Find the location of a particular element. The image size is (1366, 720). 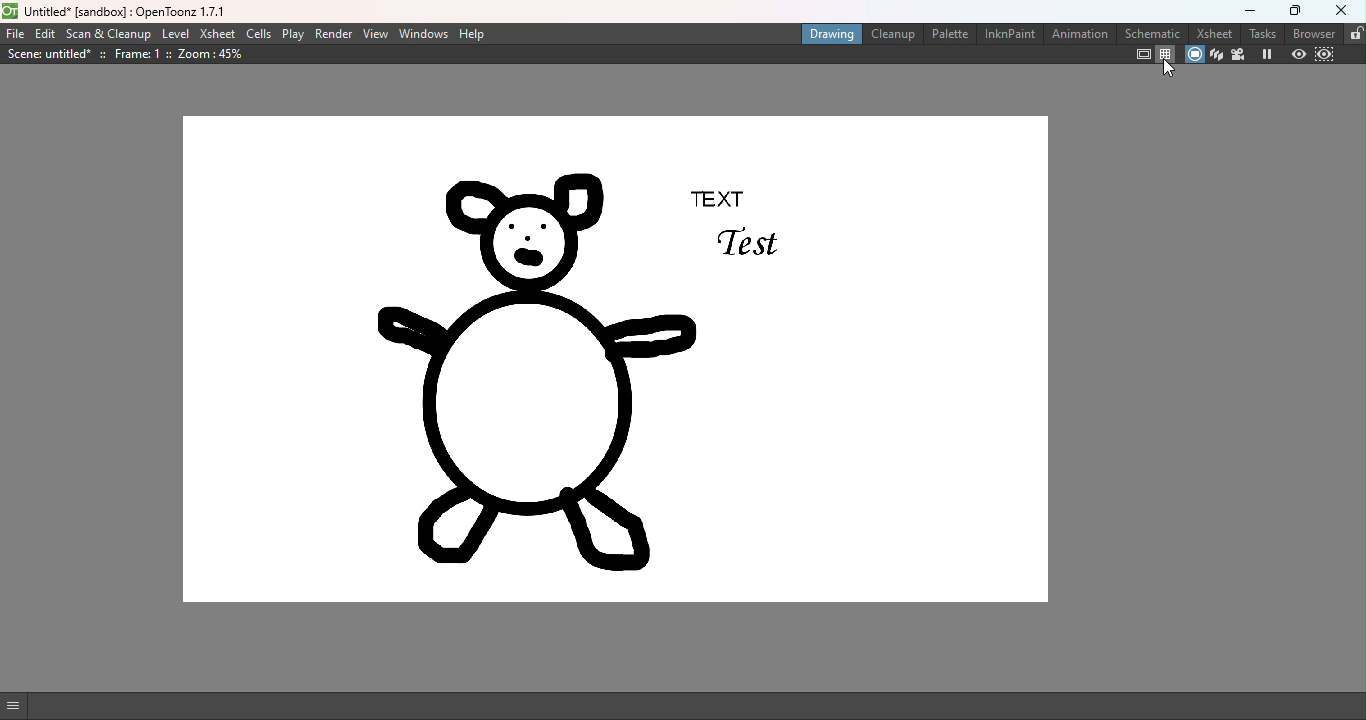

Safe area is located at coordinates (1142, 53).